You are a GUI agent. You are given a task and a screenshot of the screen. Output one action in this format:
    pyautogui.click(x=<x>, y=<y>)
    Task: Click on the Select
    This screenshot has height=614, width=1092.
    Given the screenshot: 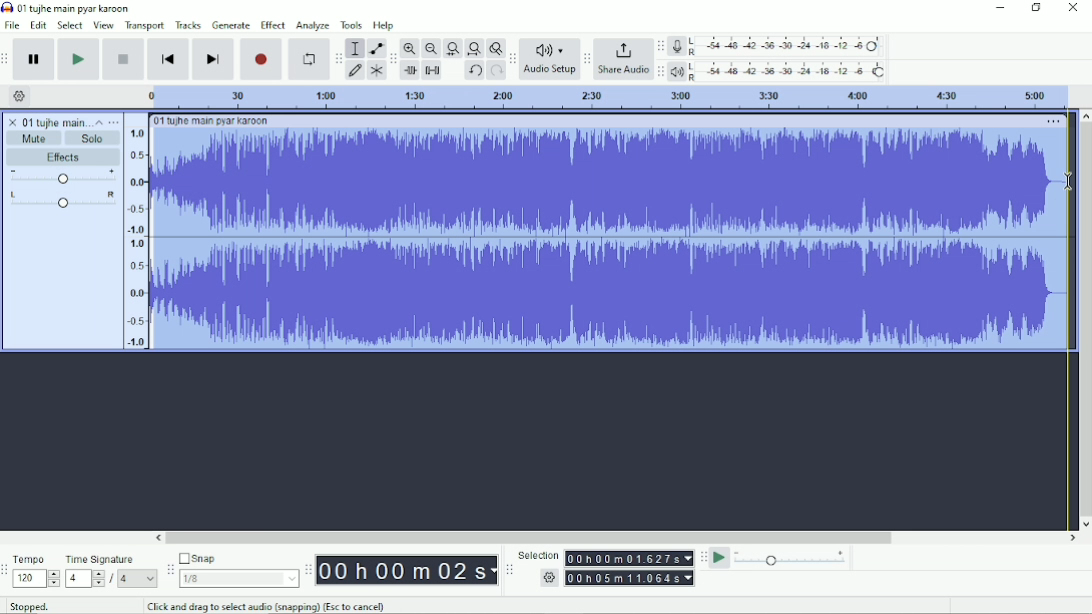 What is the action you would take?
    pyautogui.click(x=71, y=25)
    